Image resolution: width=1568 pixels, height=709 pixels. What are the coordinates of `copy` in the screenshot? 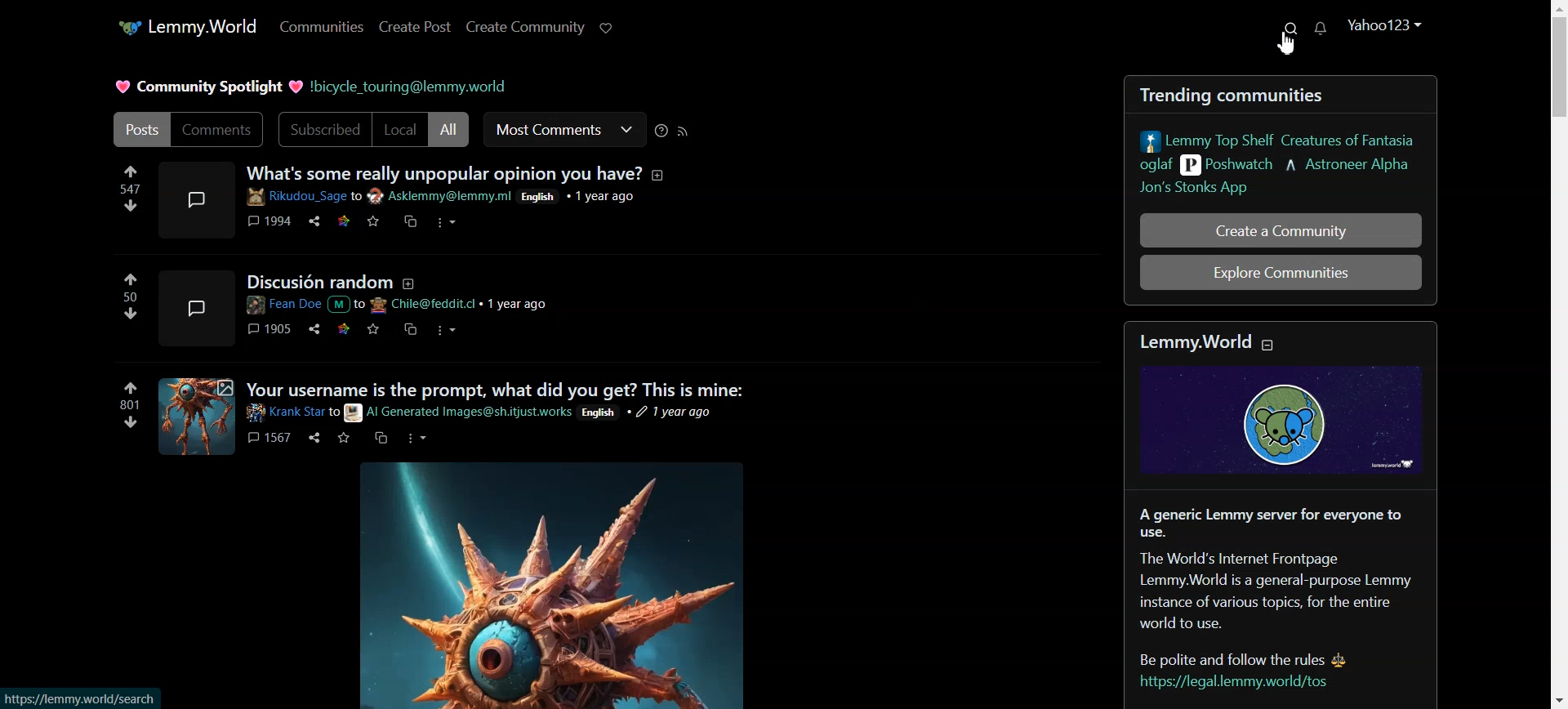 It's located at (410, 331).